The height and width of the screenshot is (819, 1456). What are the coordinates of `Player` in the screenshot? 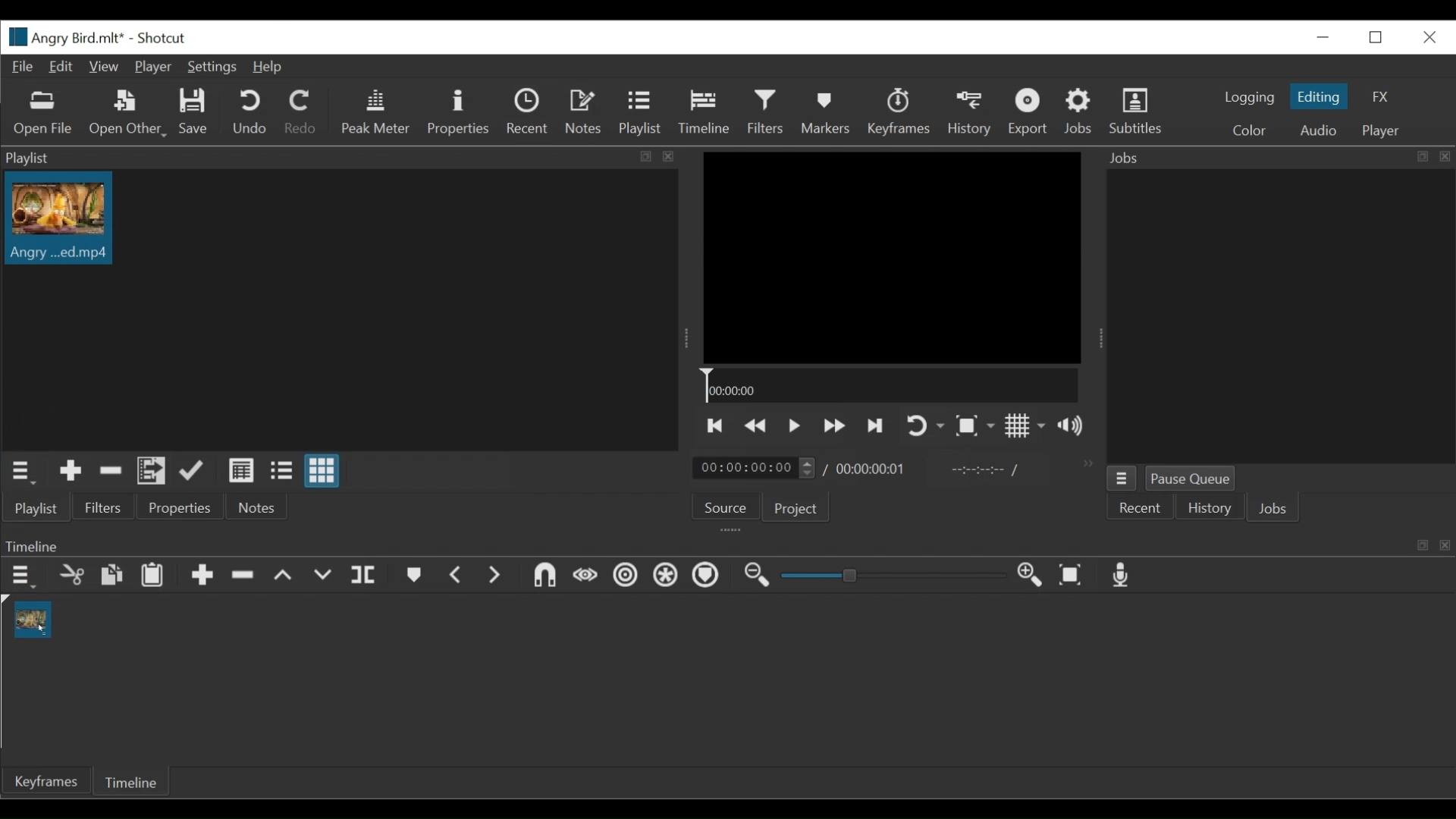 It's located at (1380, 131).